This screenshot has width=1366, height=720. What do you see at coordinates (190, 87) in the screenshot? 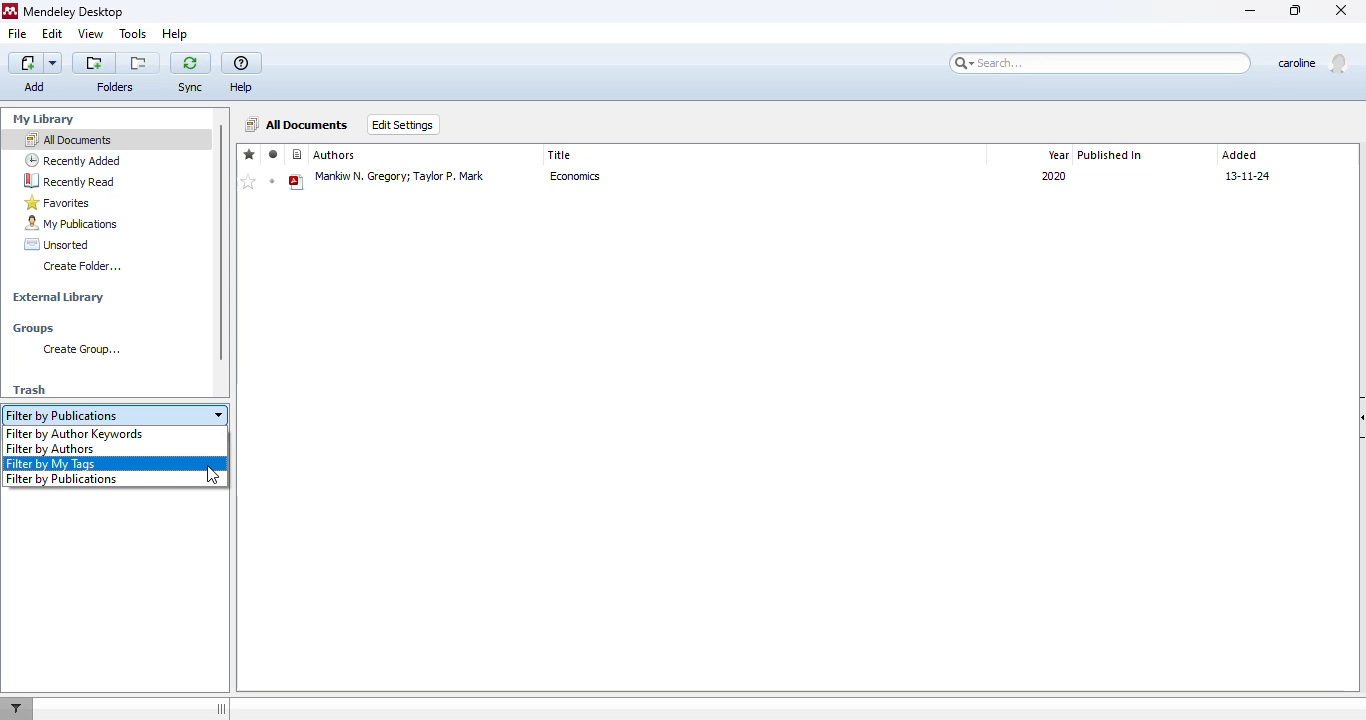
I see `sync` at bounding box center [190, 87].